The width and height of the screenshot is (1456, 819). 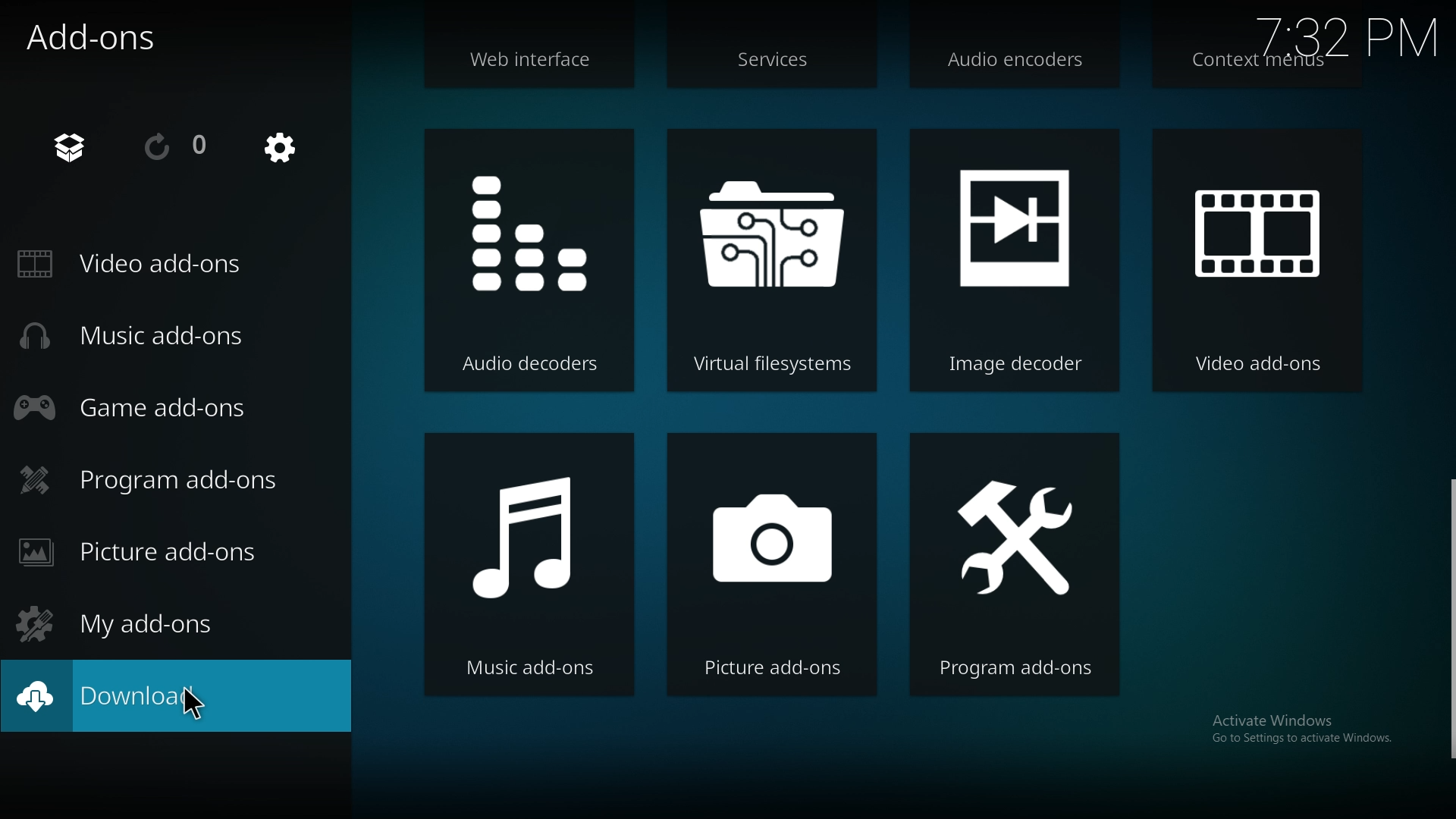 What do you see at coordinates (281, 149) in the screenshot?
I see `settings` at bounding box center [281, 149].